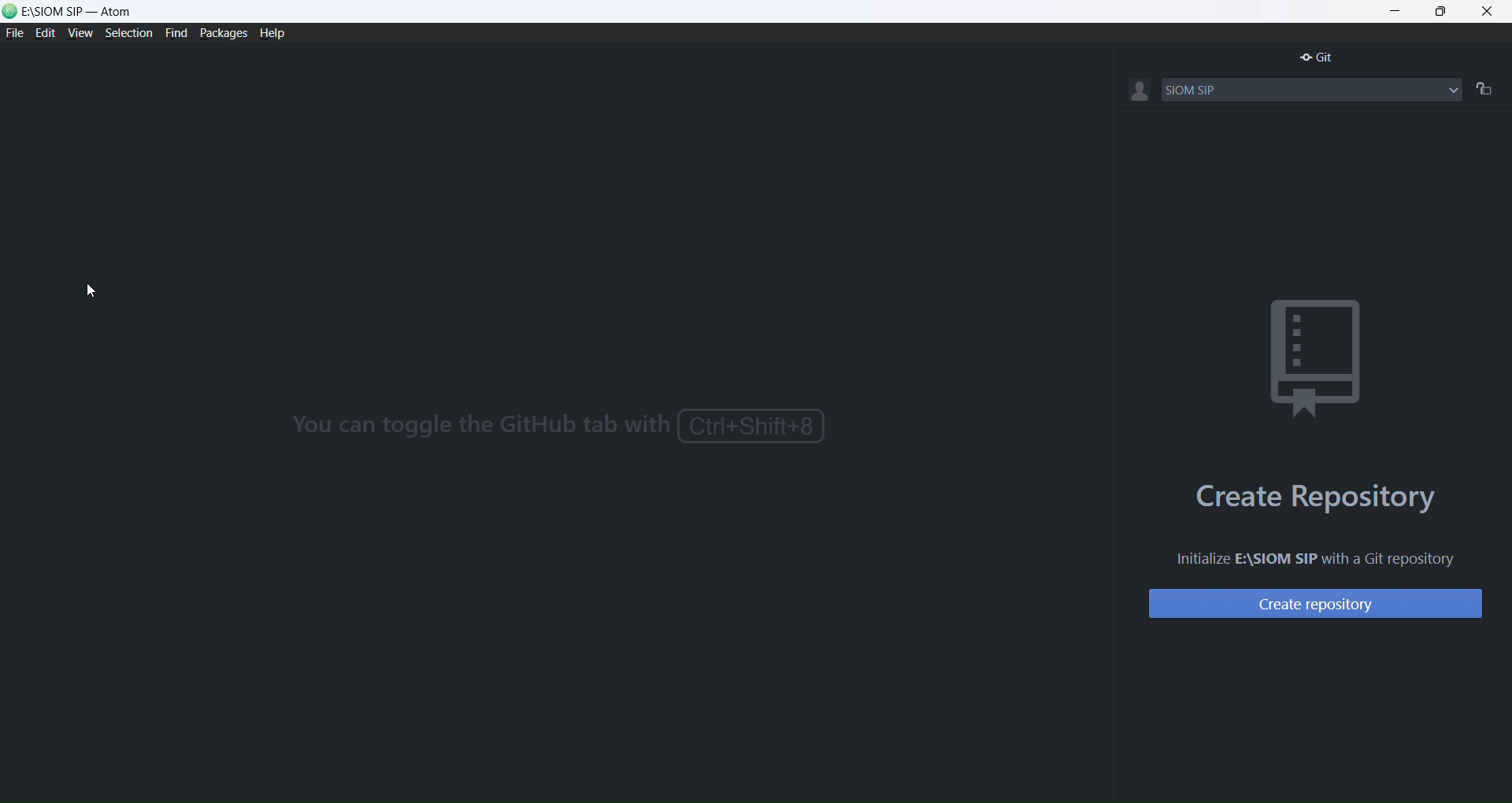 This screenshot has width=1512, height=803. I want to click on user , so click(1139, 92).